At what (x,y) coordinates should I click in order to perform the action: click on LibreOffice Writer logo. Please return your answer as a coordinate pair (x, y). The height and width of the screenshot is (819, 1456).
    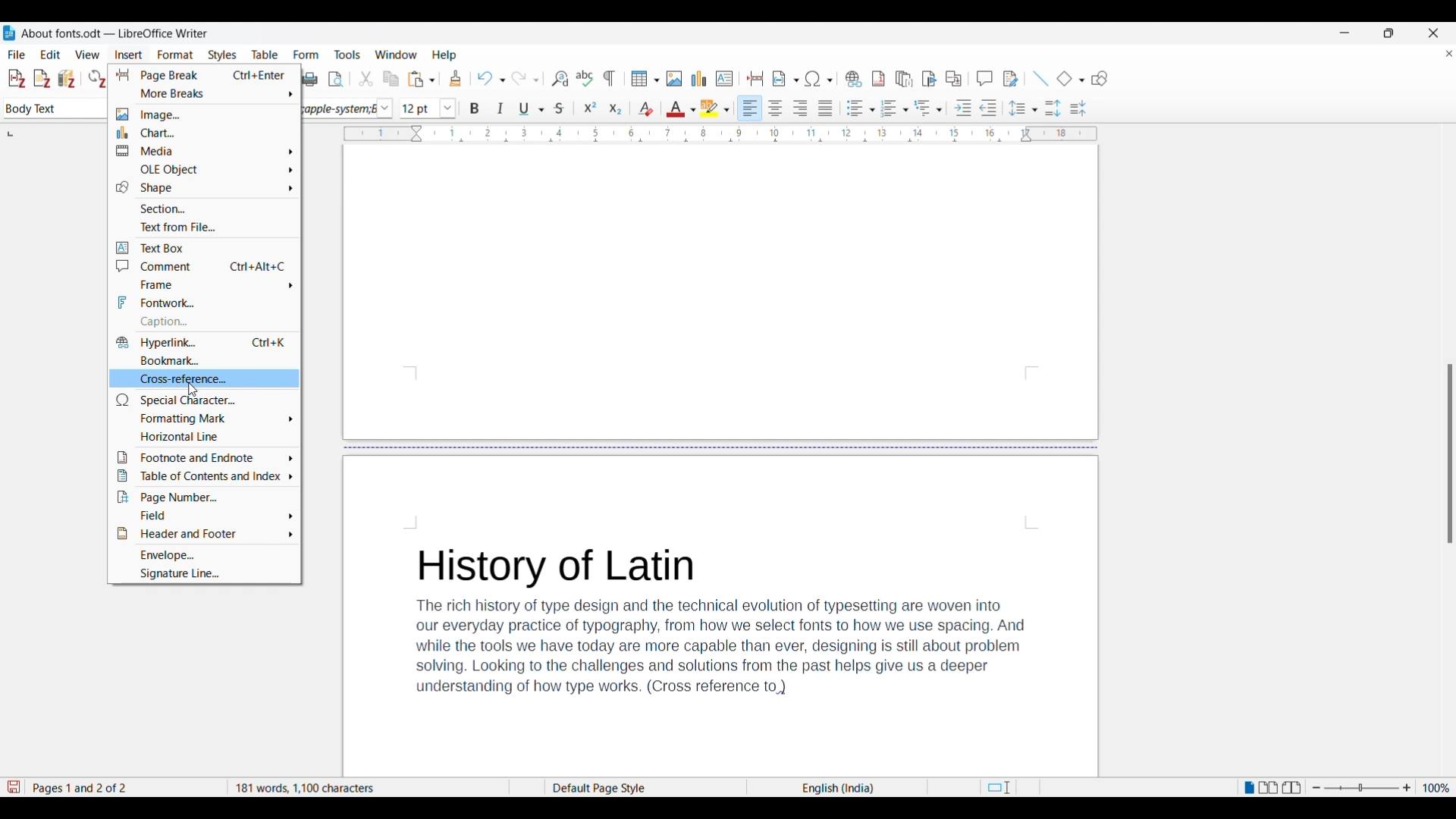
    Looking at the image, I should click on (9, 33).